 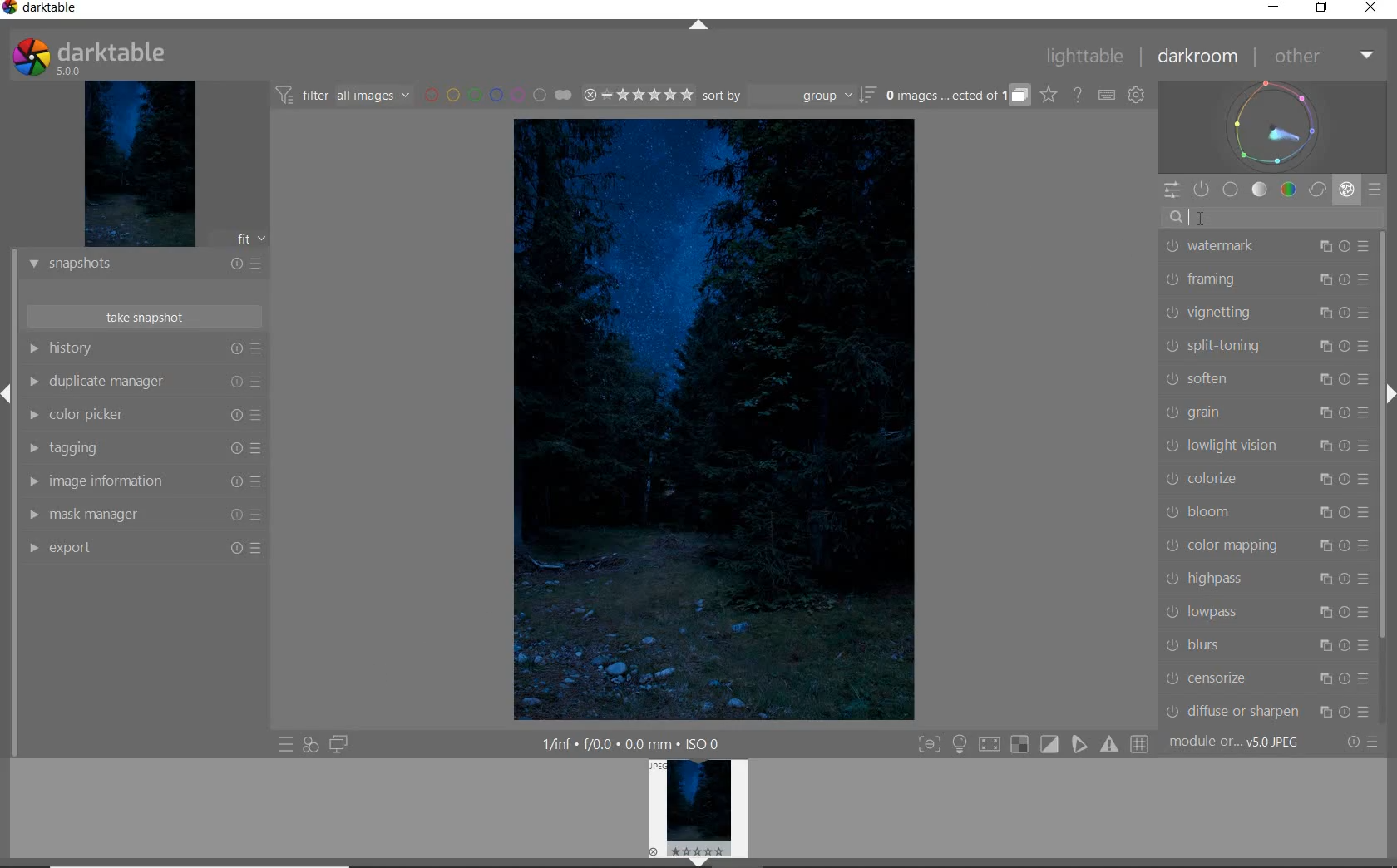 What do you see at coordinates (1387, 303) in the screenshot?
I see `SCROLLBAR` at bounding box center [1387, 303].